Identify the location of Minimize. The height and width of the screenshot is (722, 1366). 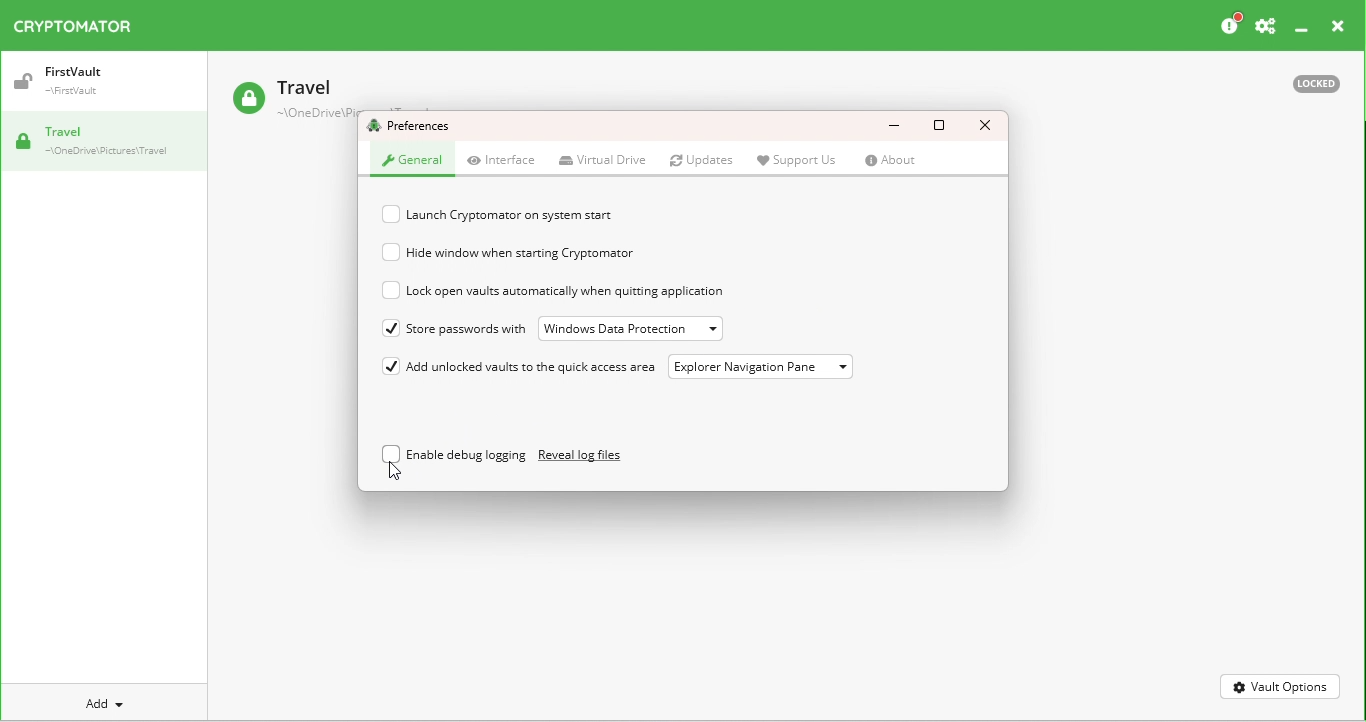
(1300, 29).